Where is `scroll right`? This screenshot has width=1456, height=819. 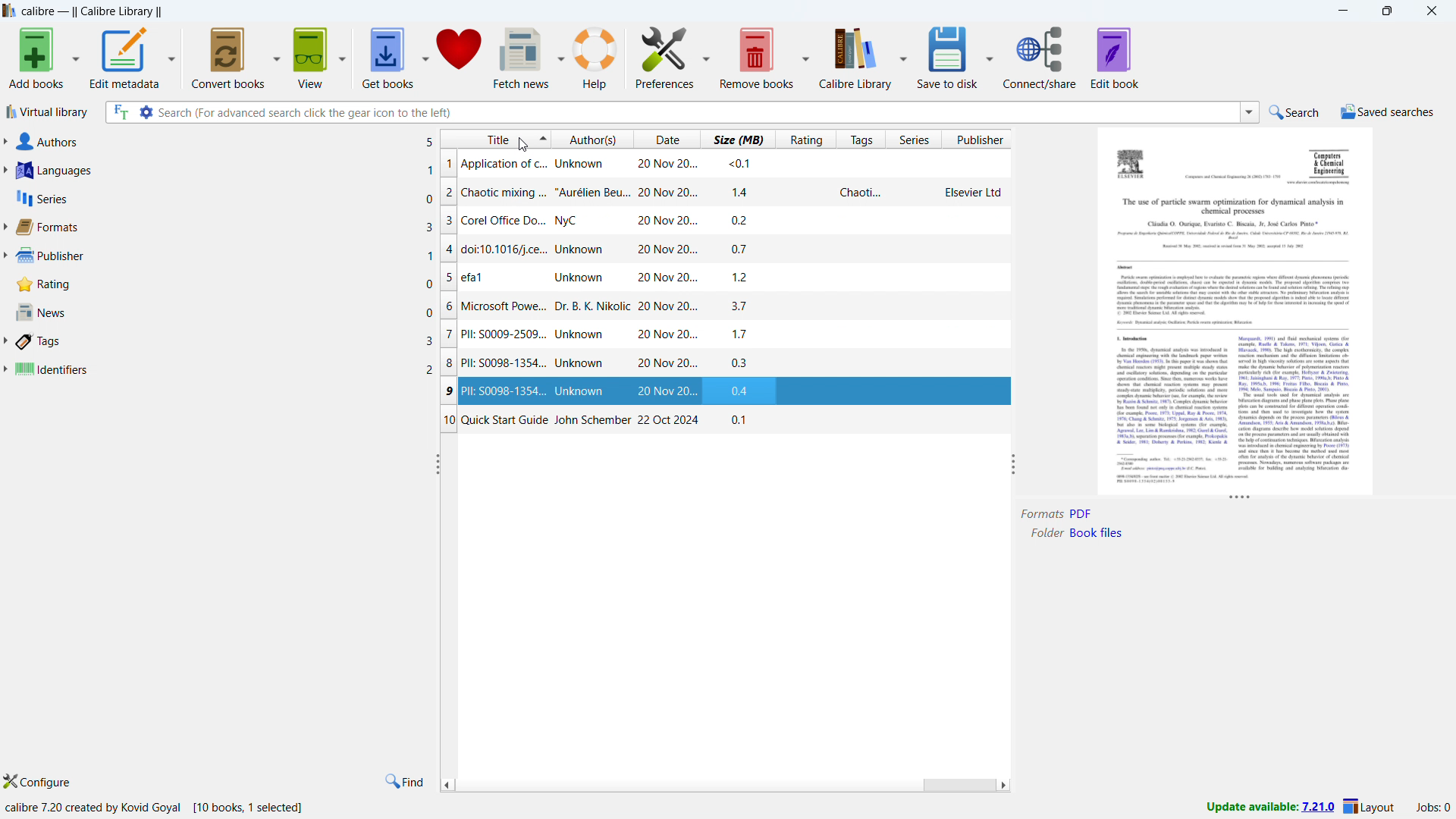
scroll right is located at coordinates (1004, 785).